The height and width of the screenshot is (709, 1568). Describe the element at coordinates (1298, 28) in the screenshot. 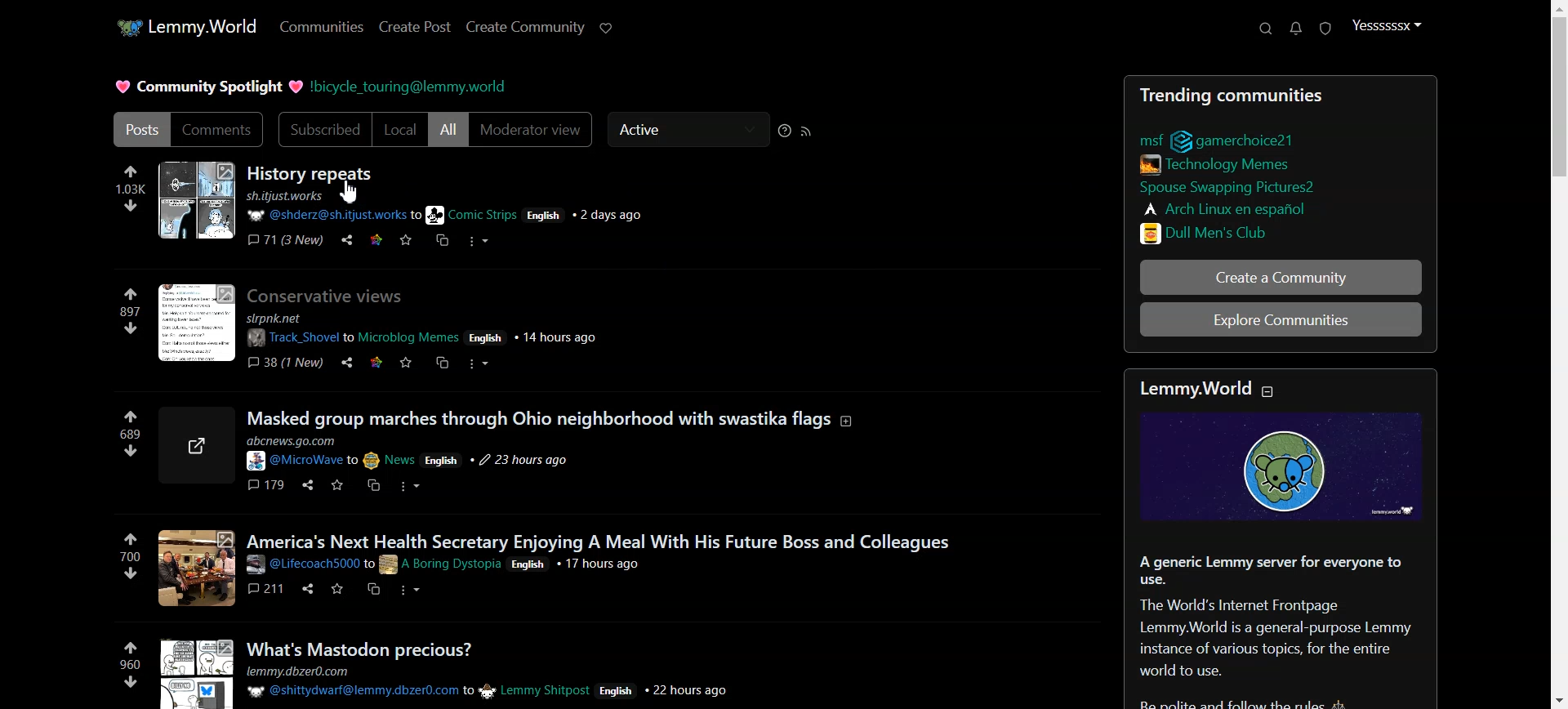

I see `Notifications` at that location.